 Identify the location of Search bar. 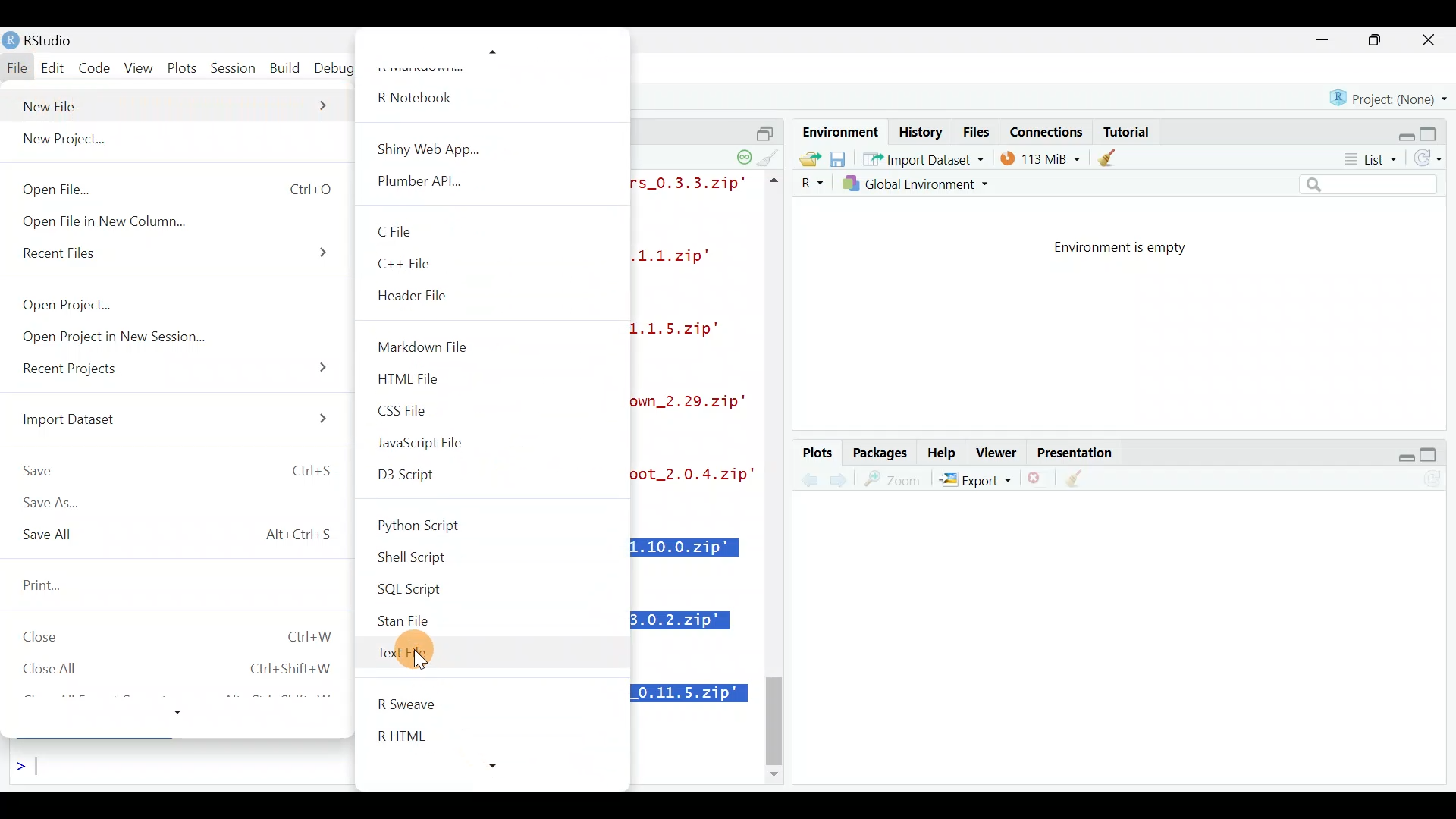
(1371, 185).